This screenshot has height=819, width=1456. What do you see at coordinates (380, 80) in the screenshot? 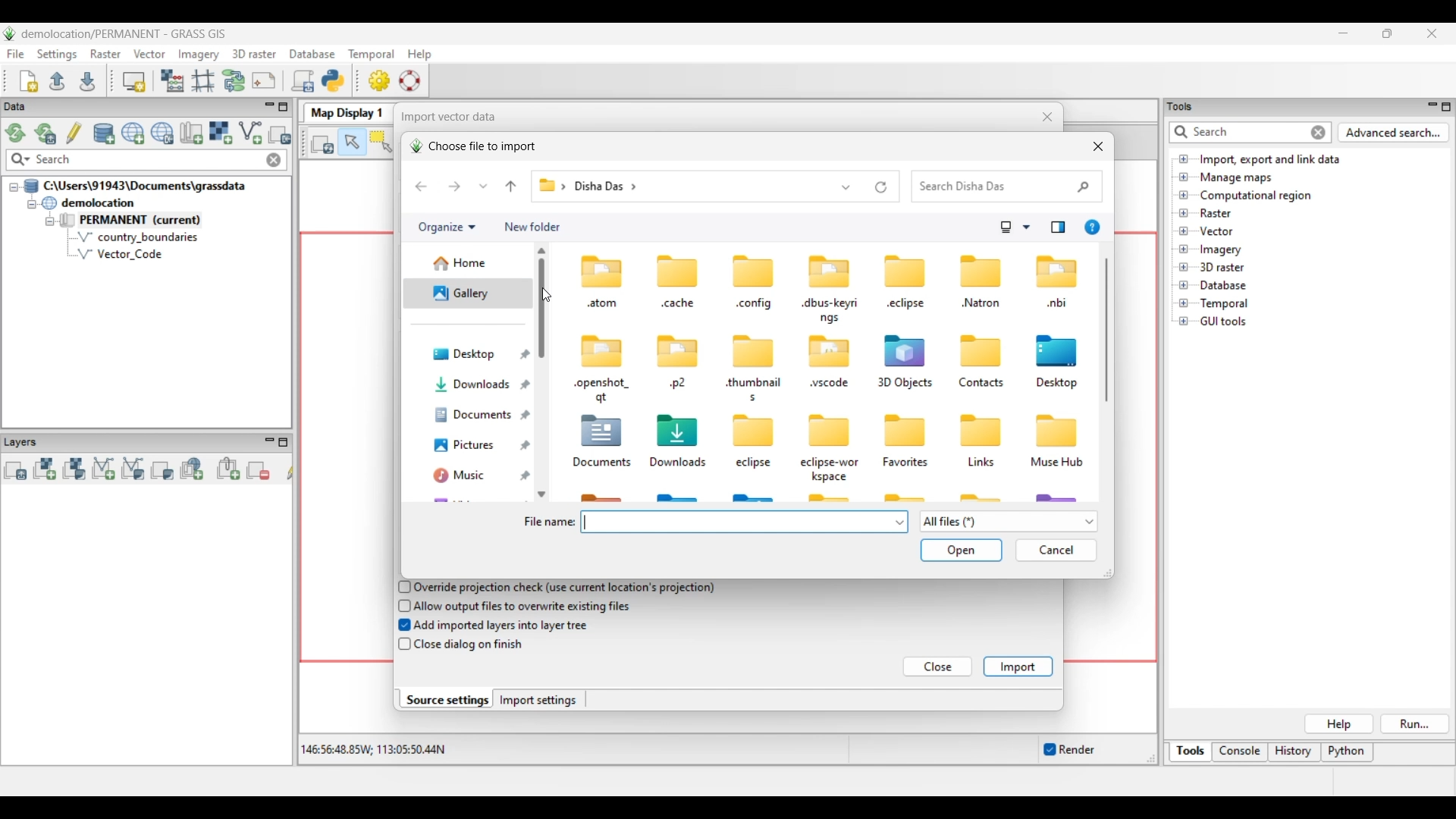
I see `GUI settings` at bounding box center [380, 80].